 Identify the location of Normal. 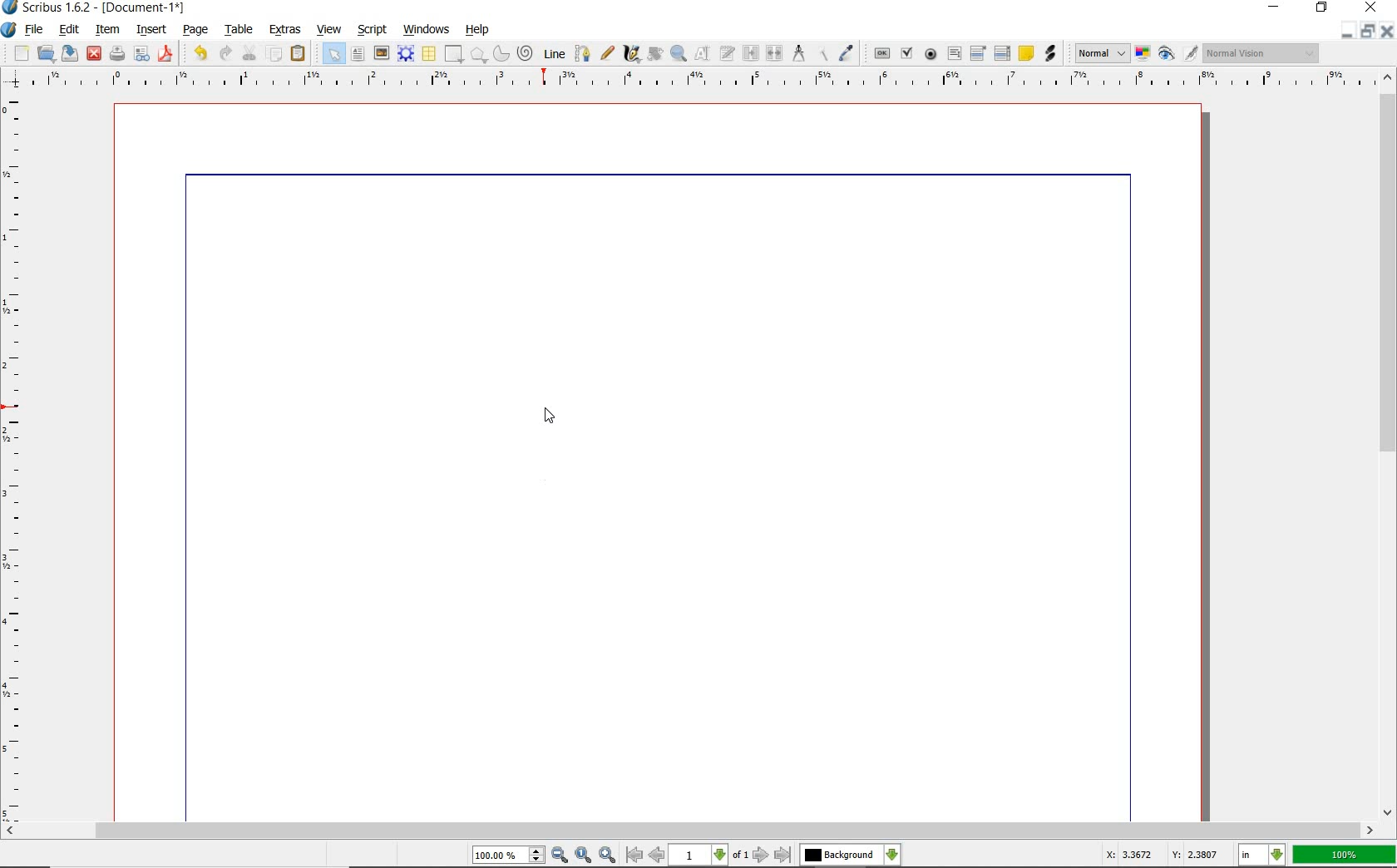
(1101, 53).